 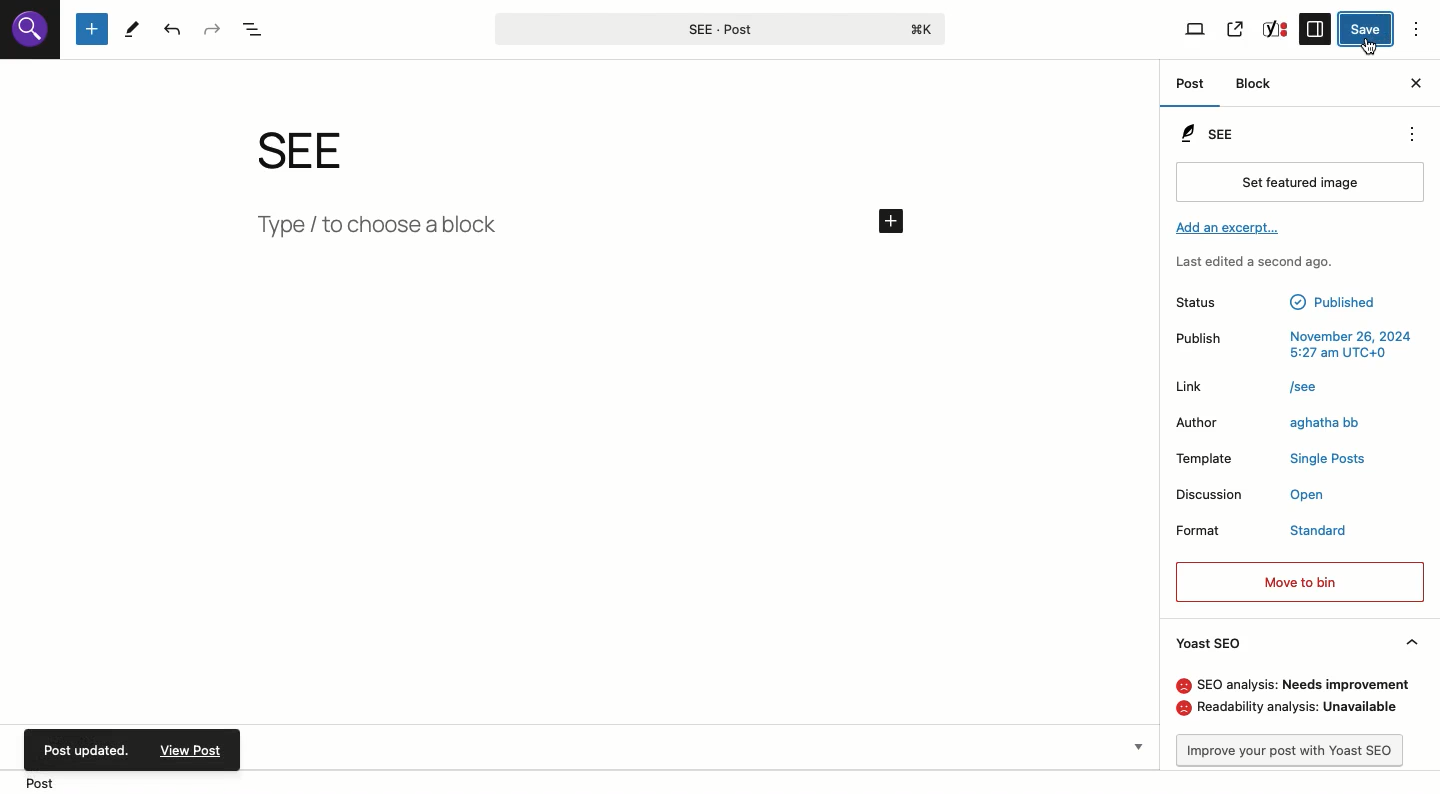 What do you see at coordinates (1276, 30) in the screenshot?
I see `Yoast` at bounding box center [1276, 30].